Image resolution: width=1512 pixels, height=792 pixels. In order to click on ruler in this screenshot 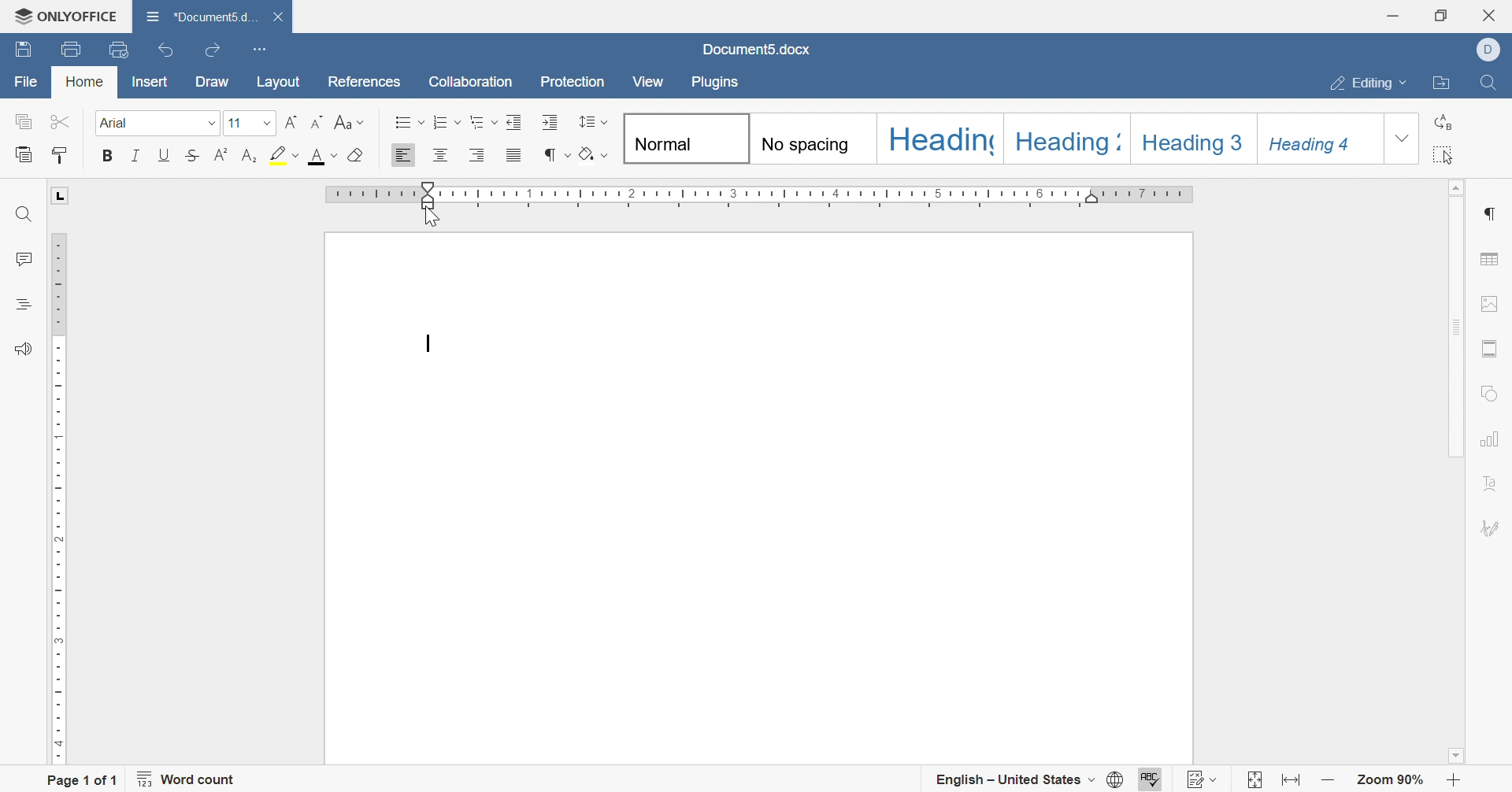, I will do `click(55, 495)`.